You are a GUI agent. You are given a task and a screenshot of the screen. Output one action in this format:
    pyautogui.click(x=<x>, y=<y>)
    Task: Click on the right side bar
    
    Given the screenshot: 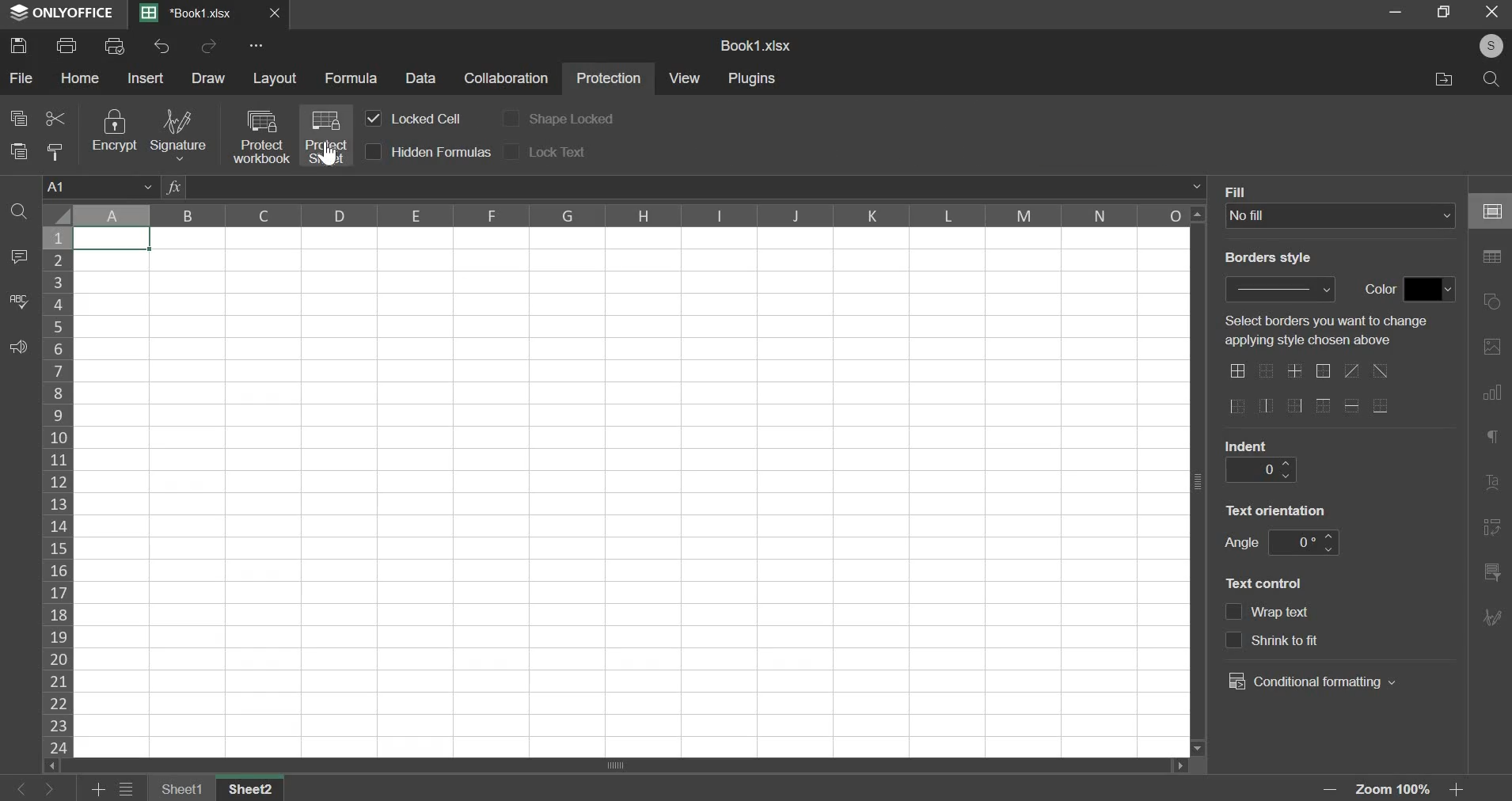 What is the action you would take?
    pyautogui.click(x=1494, y=390)
    